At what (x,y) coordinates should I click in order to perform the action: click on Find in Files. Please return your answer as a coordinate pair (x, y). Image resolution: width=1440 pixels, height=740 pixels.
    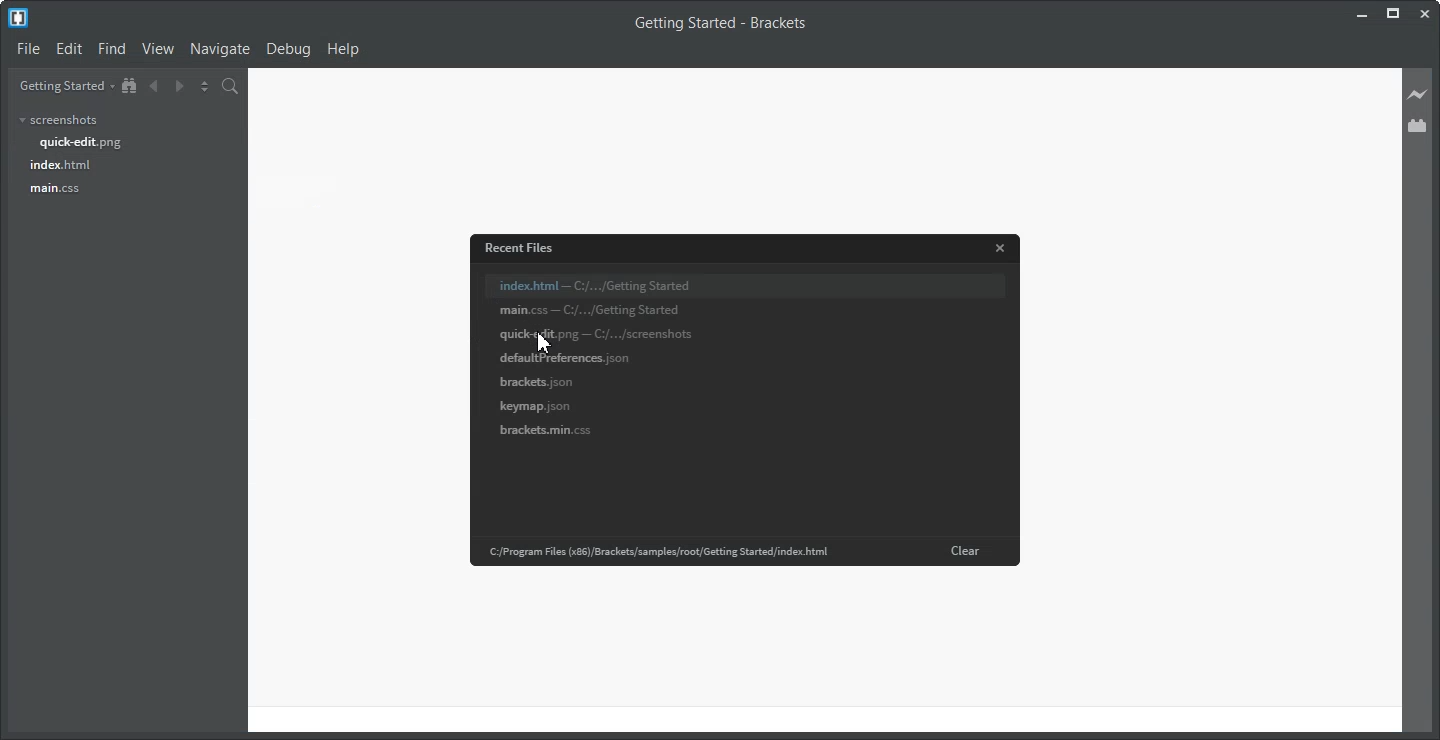
    Looking at the image, I should click on (231, 87).